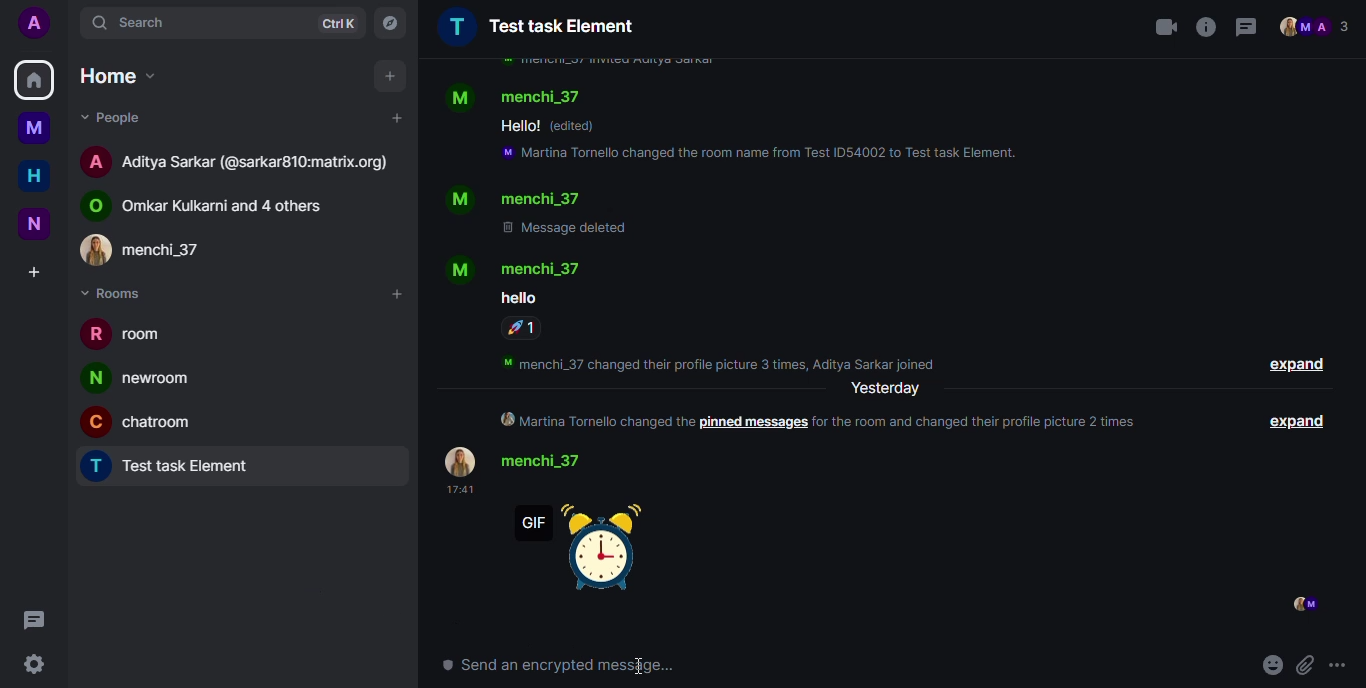 This screenshot has height=688, width=1366. What do you see at coordinates (595, 422) in the screenshot?
I see `Martina Tornello changed` at bounding box center [595, 422].